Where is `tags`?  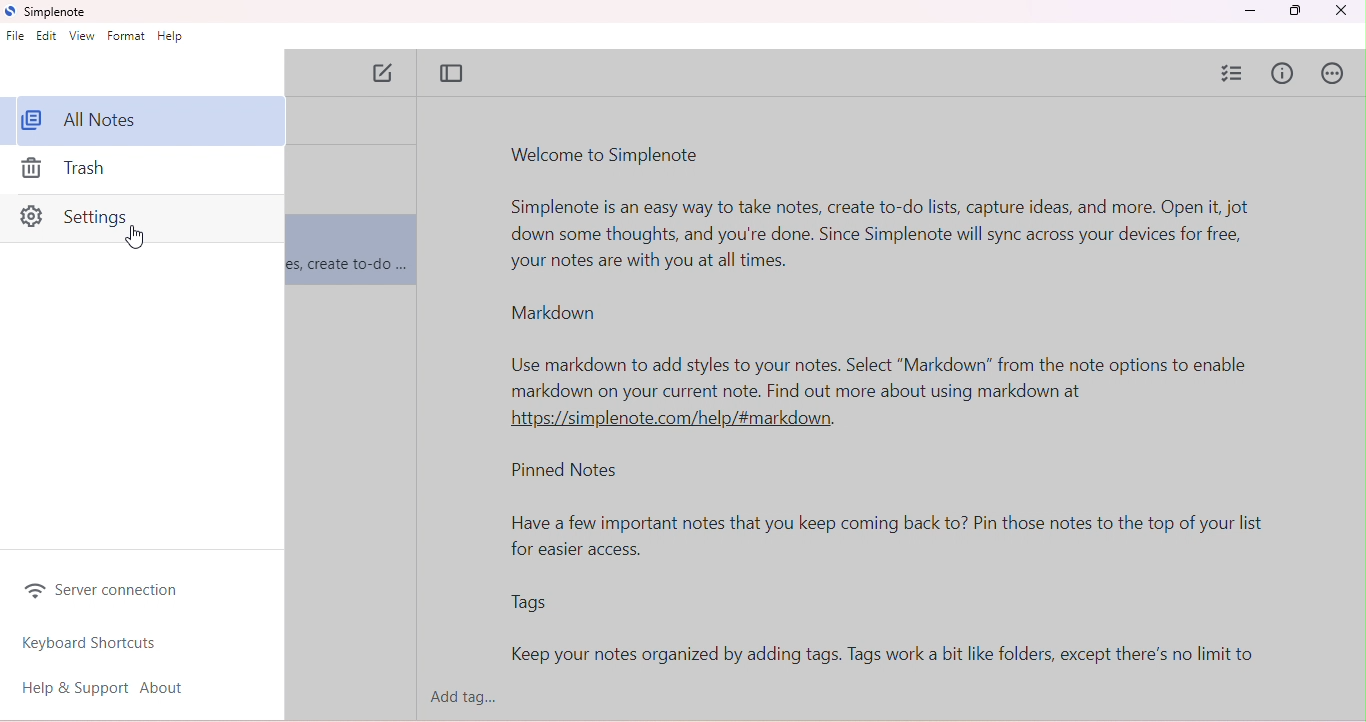
tags is located at coordinates (529, 604).